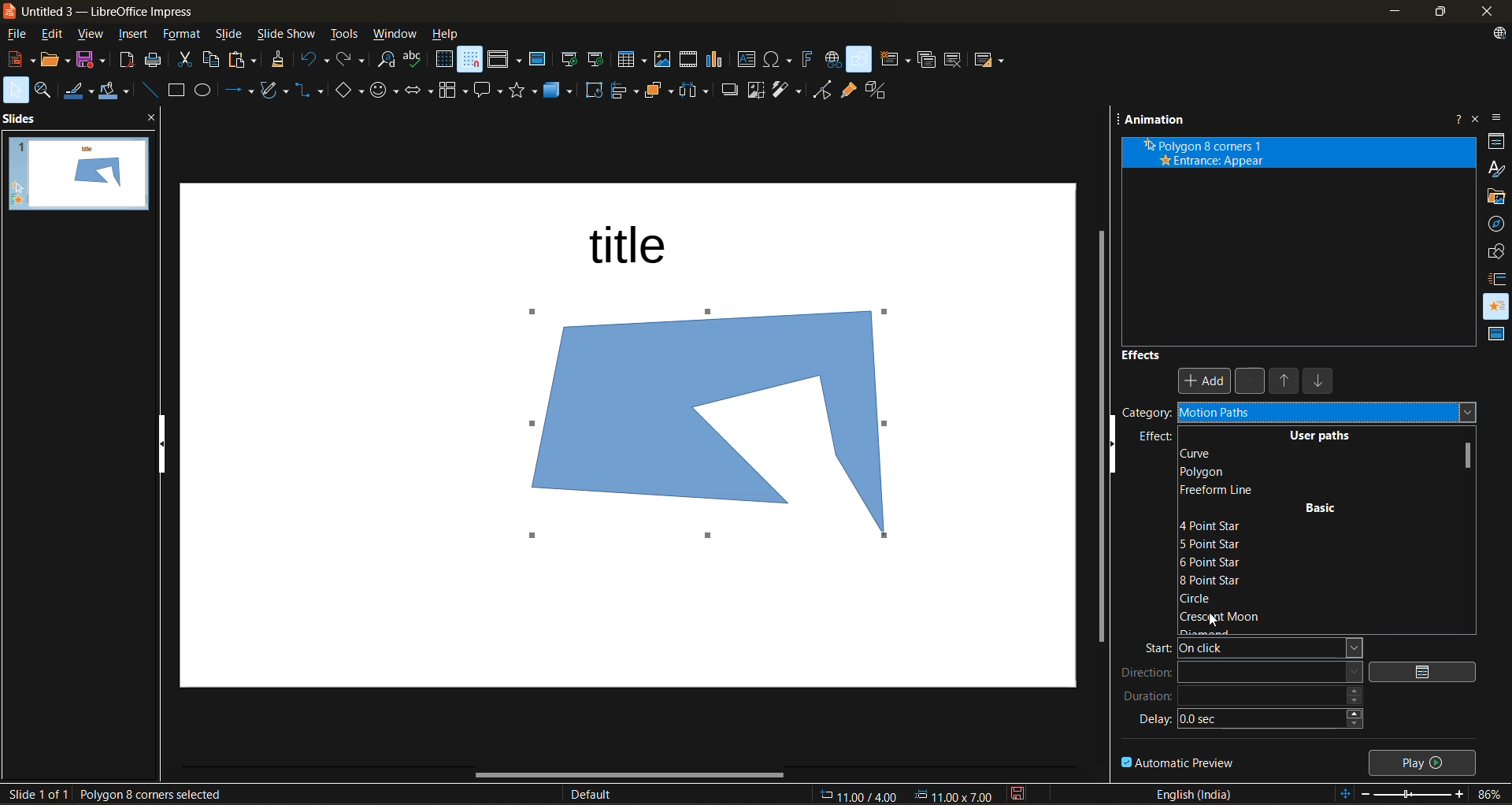 The image size is (1512, 805). What do you see at coordinates (421, 92) in the screenshot?
I see `block arrows` at bounding box center [421, 92].